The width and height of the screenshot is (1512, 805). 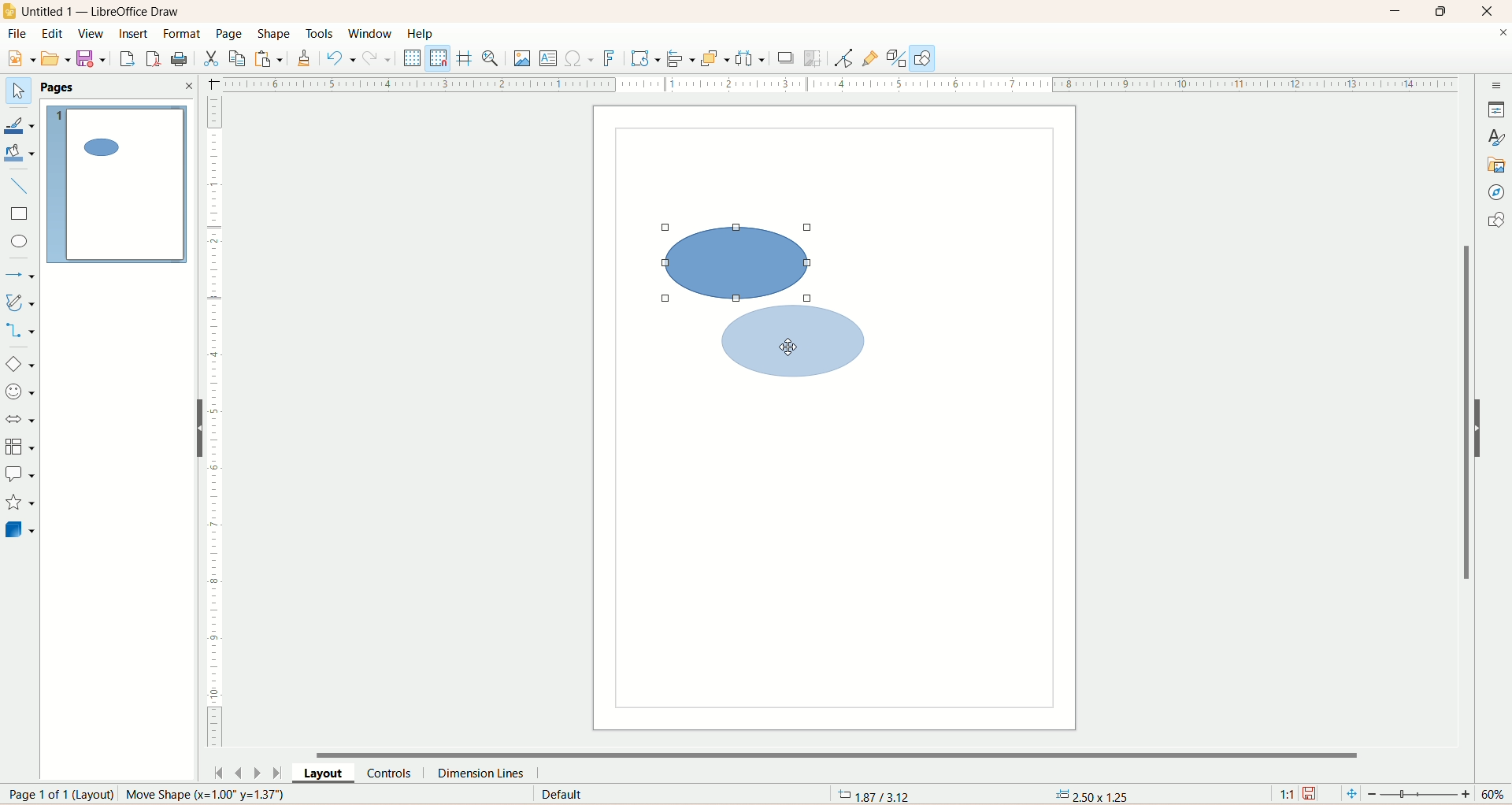 What do you see at coordinates (442, 60) in the screenshot?
I see `snap to grid` at bounding box center [442, 60].